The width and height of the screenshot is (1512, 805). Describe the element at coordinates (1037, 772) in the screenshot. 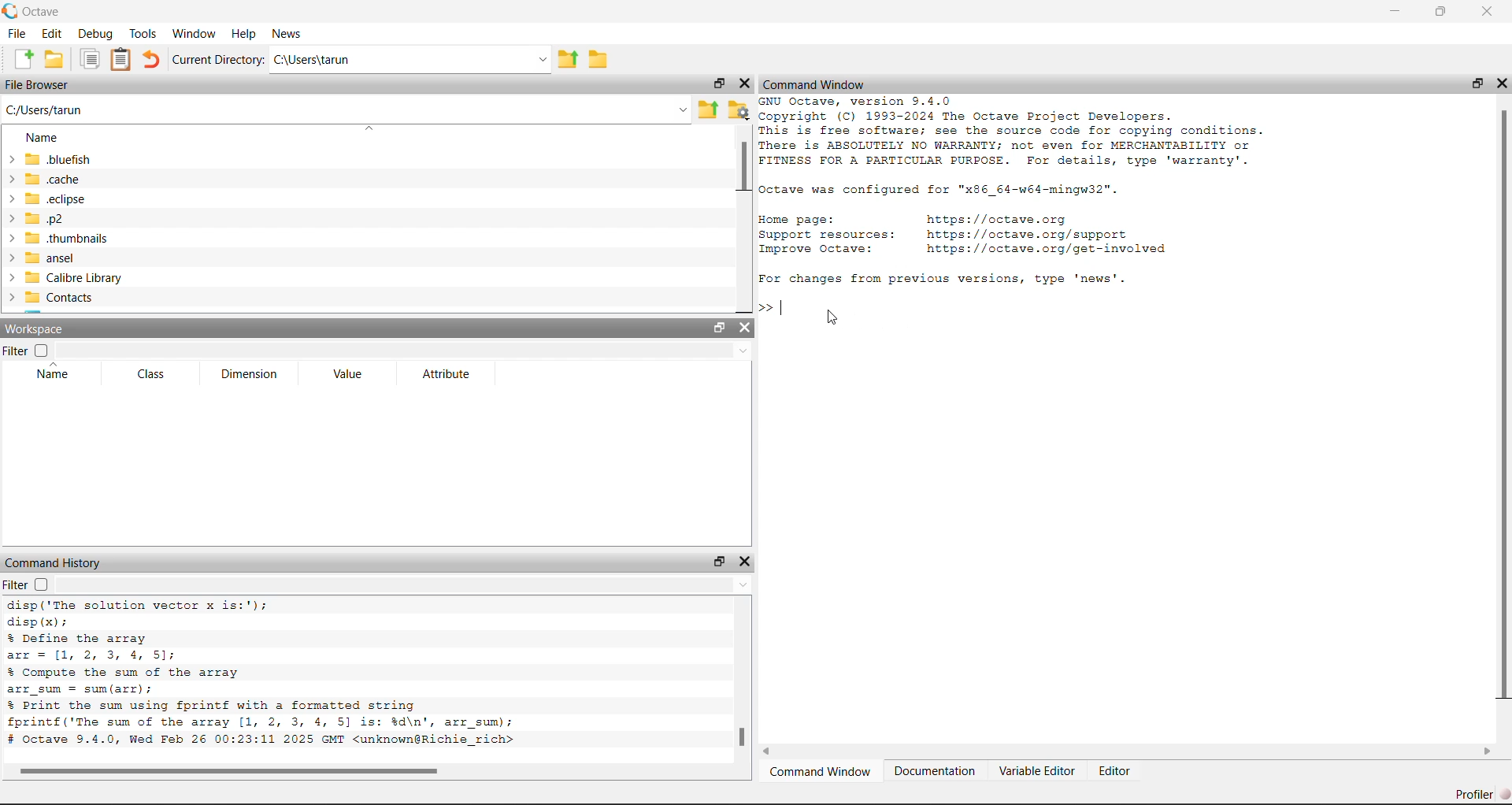

I see `Variable Editor` at that location.